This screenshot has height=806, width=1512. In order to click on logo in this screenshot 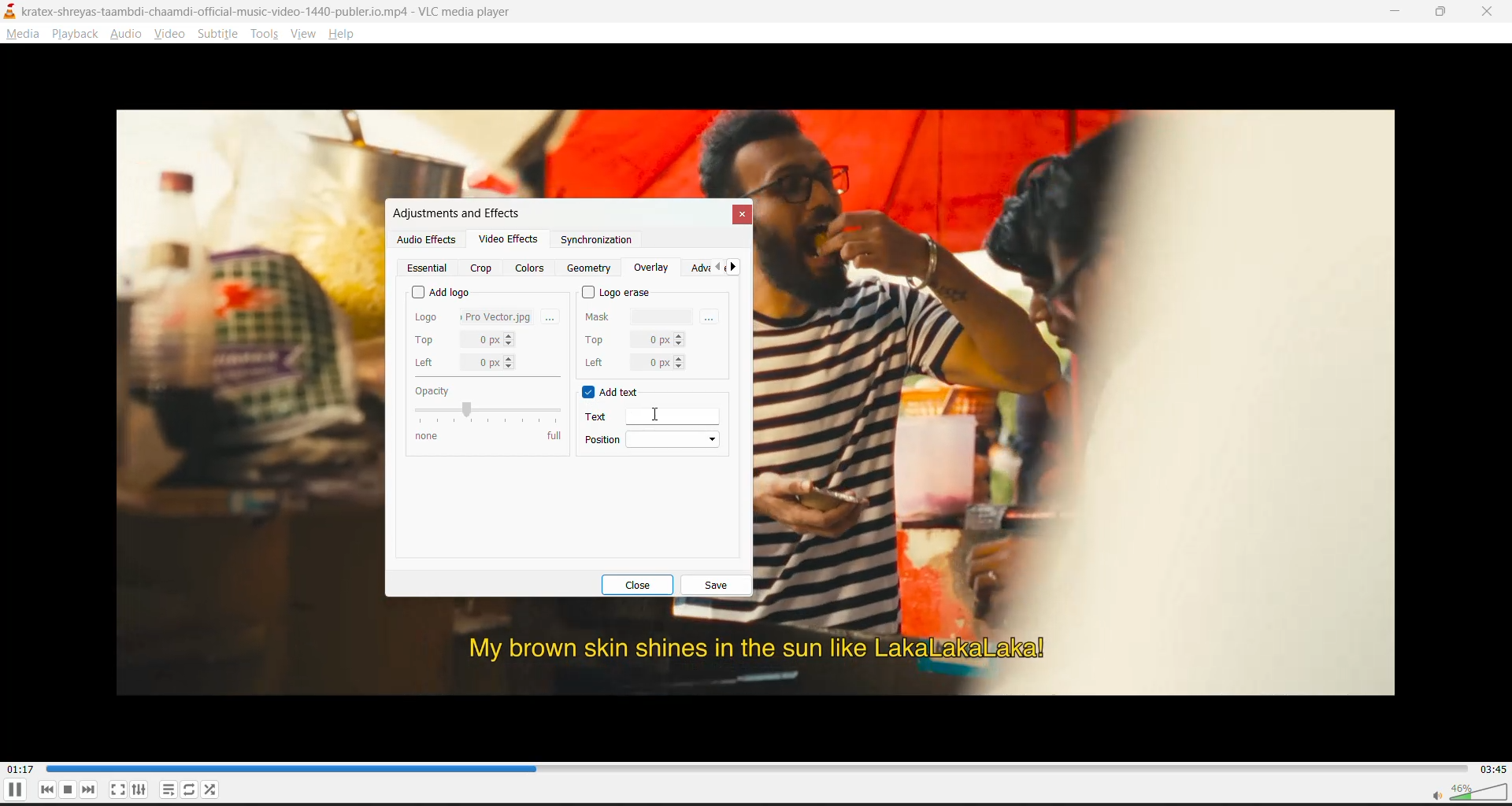, I will do `click(474, 315)`.